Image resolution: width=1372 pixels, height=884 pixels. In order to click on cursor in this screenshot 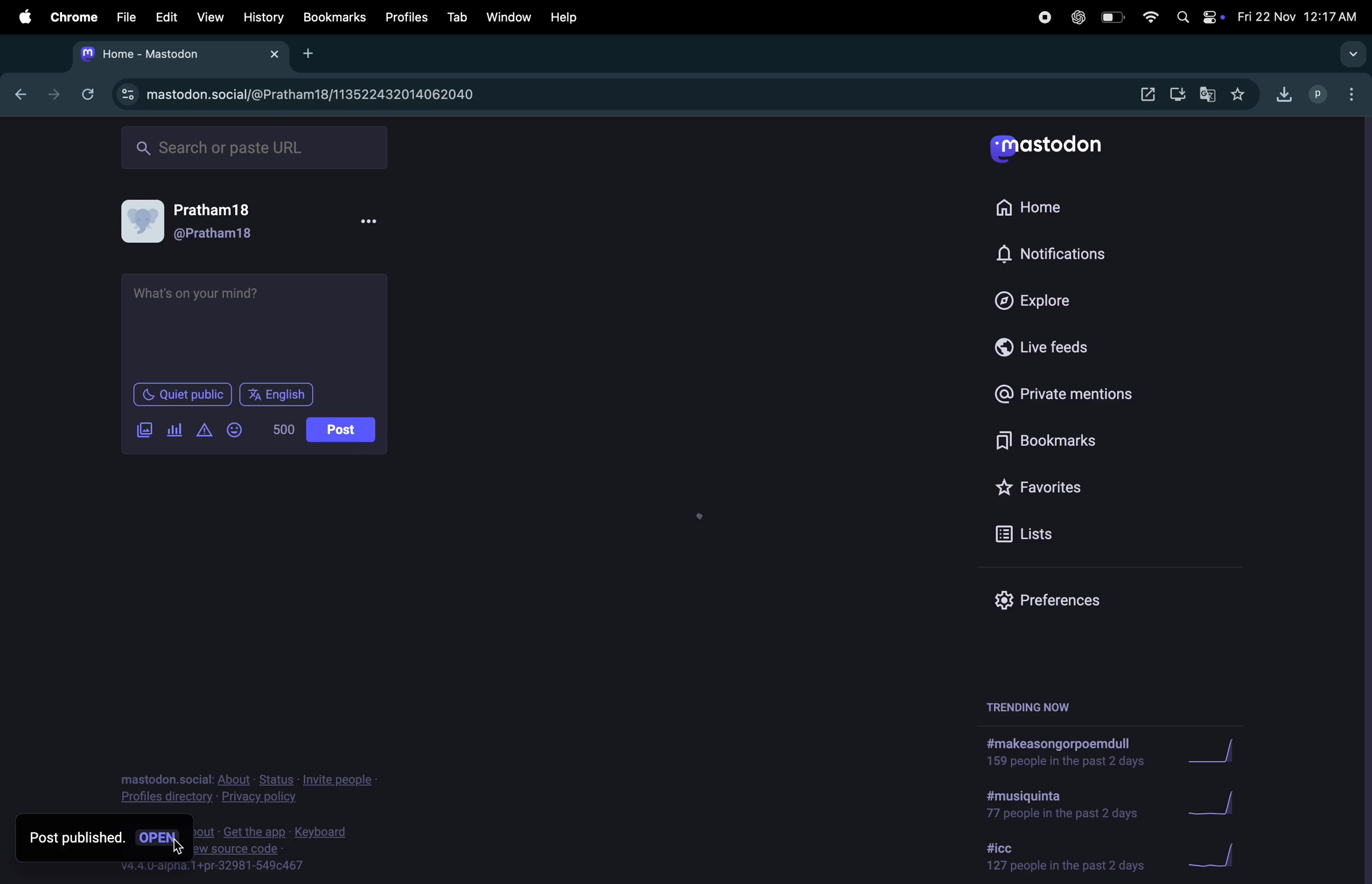, I will do `click(177, 843)`.